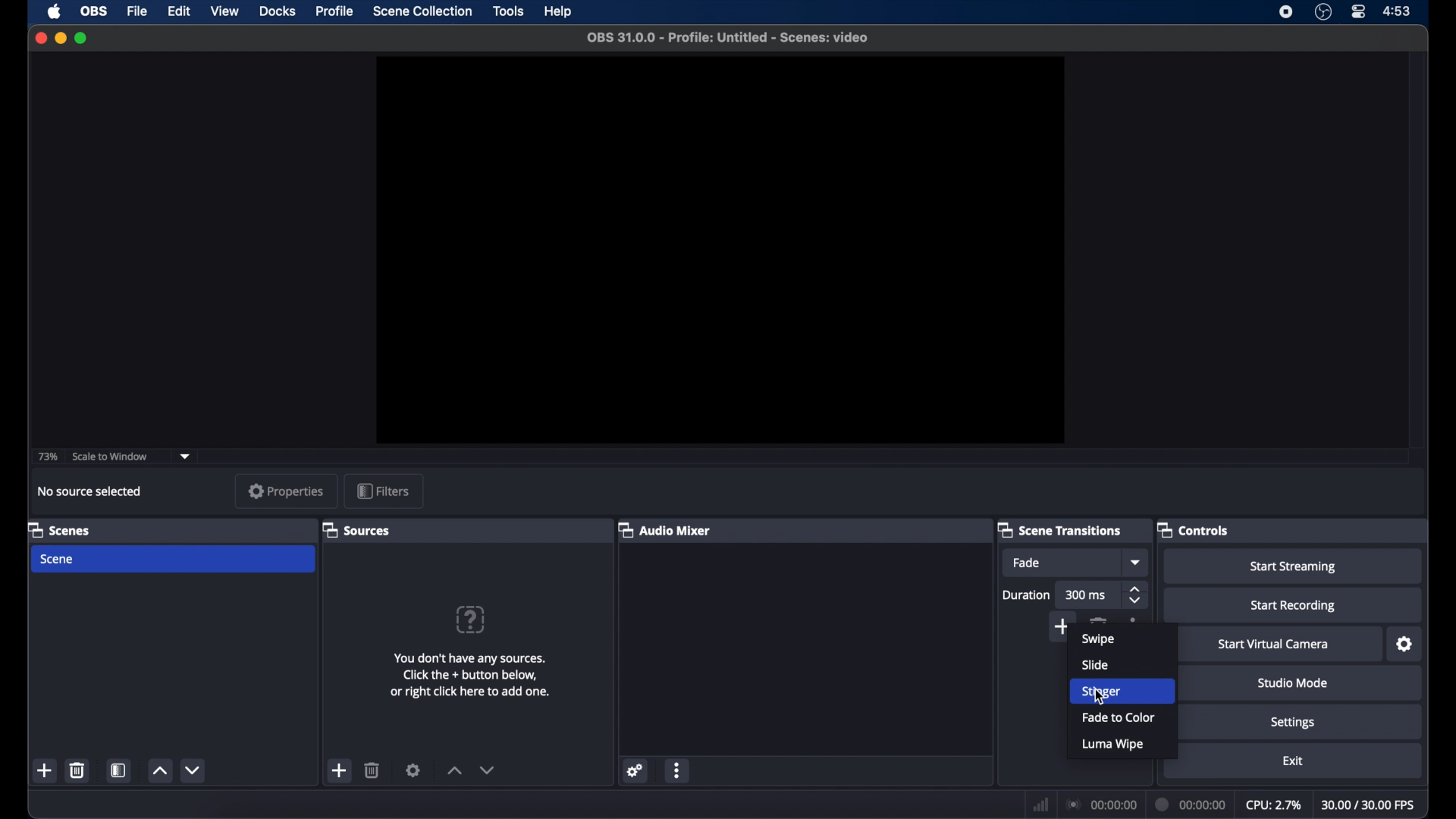 This screenshot has height=819, width=1456. What do you see at coordinates (1119, 718) in the screenshot?
I see `fade to color` at bounding box center [1119, 718].